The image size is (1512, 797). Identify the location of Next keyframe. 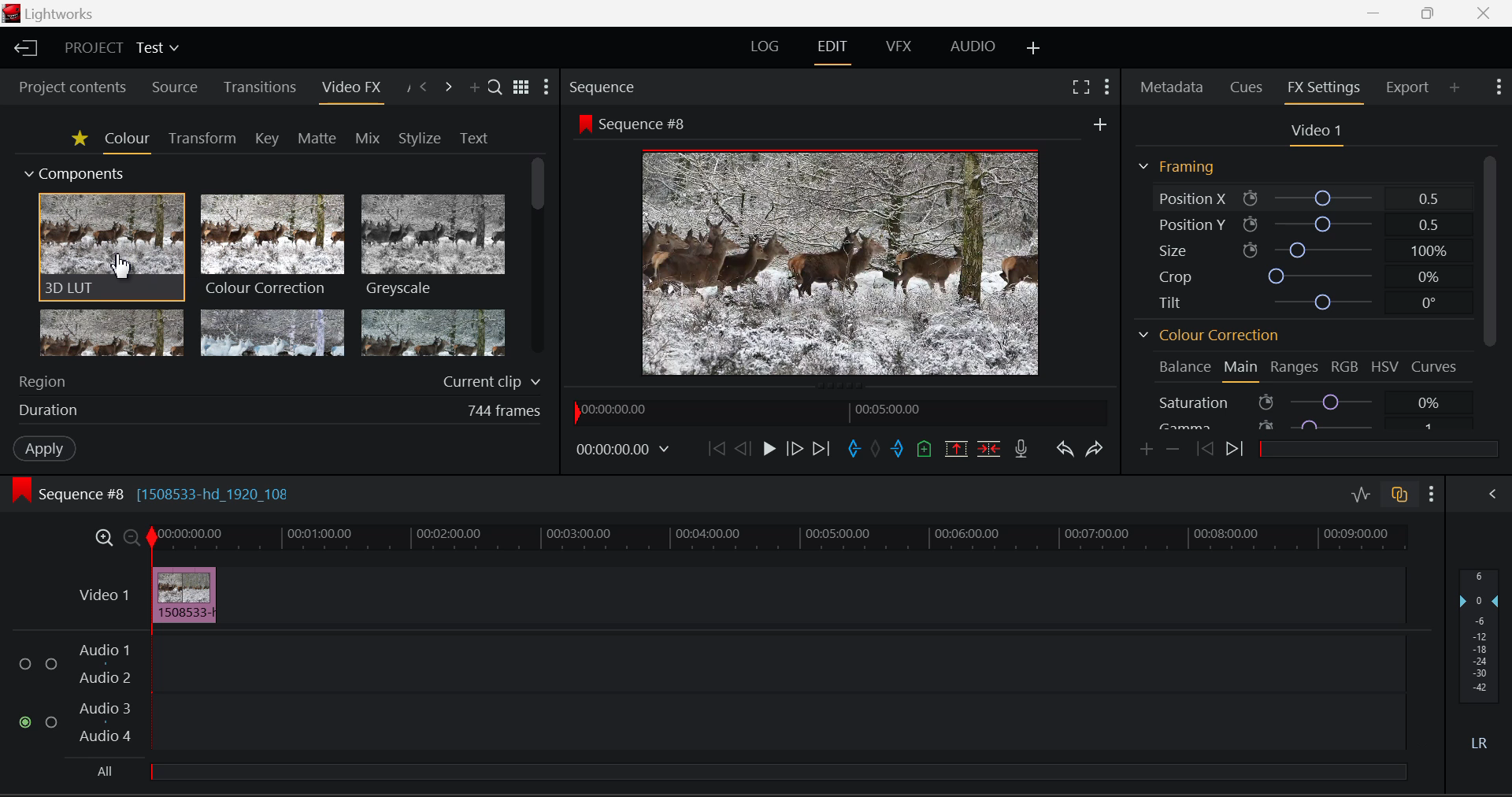
(1235, 449).